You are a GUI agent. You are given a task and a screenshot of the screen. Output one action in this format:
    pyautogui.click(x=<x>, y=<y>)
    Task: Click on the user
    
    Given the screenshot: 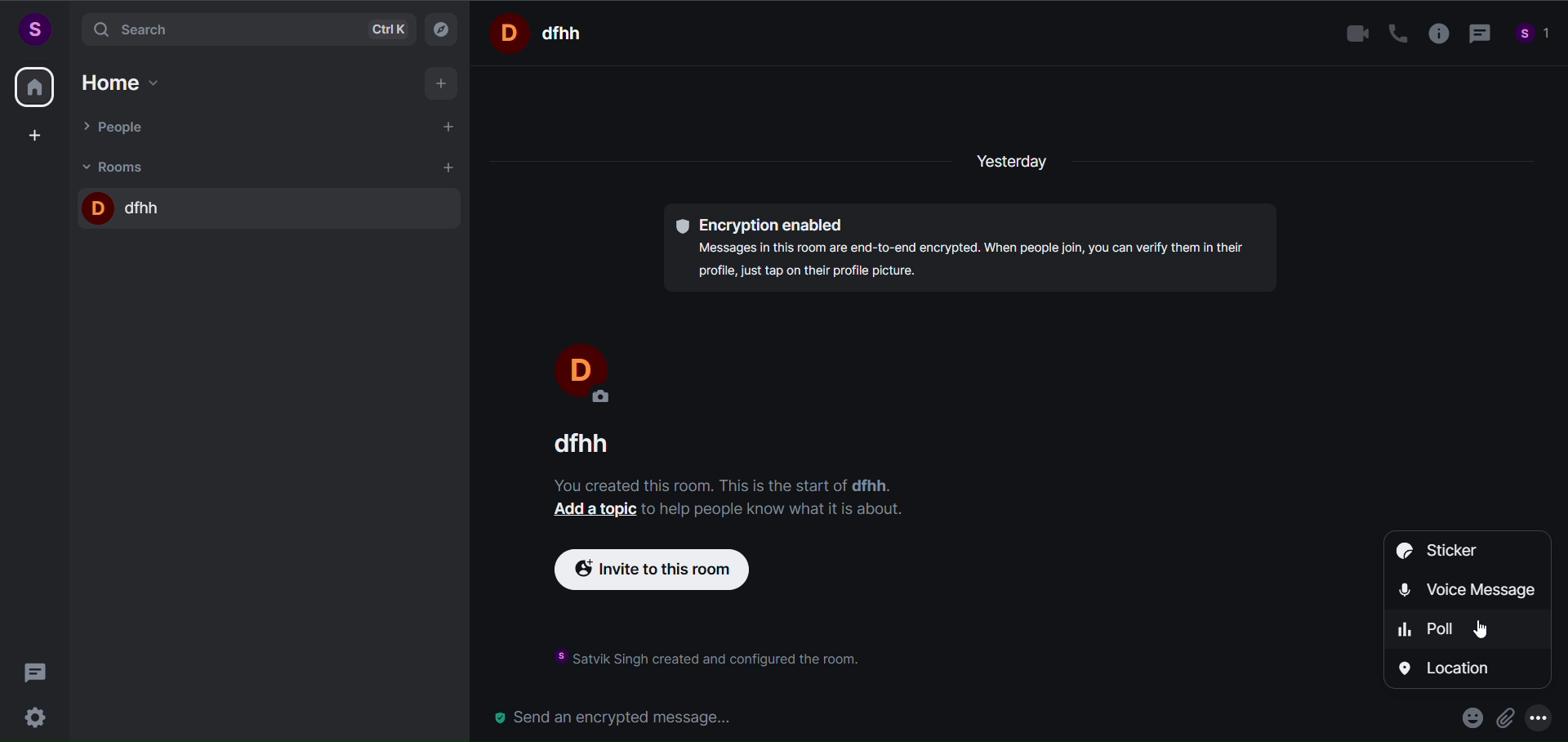 What is the action you would take?
    pyautogui.click(x=33, y=29)
    